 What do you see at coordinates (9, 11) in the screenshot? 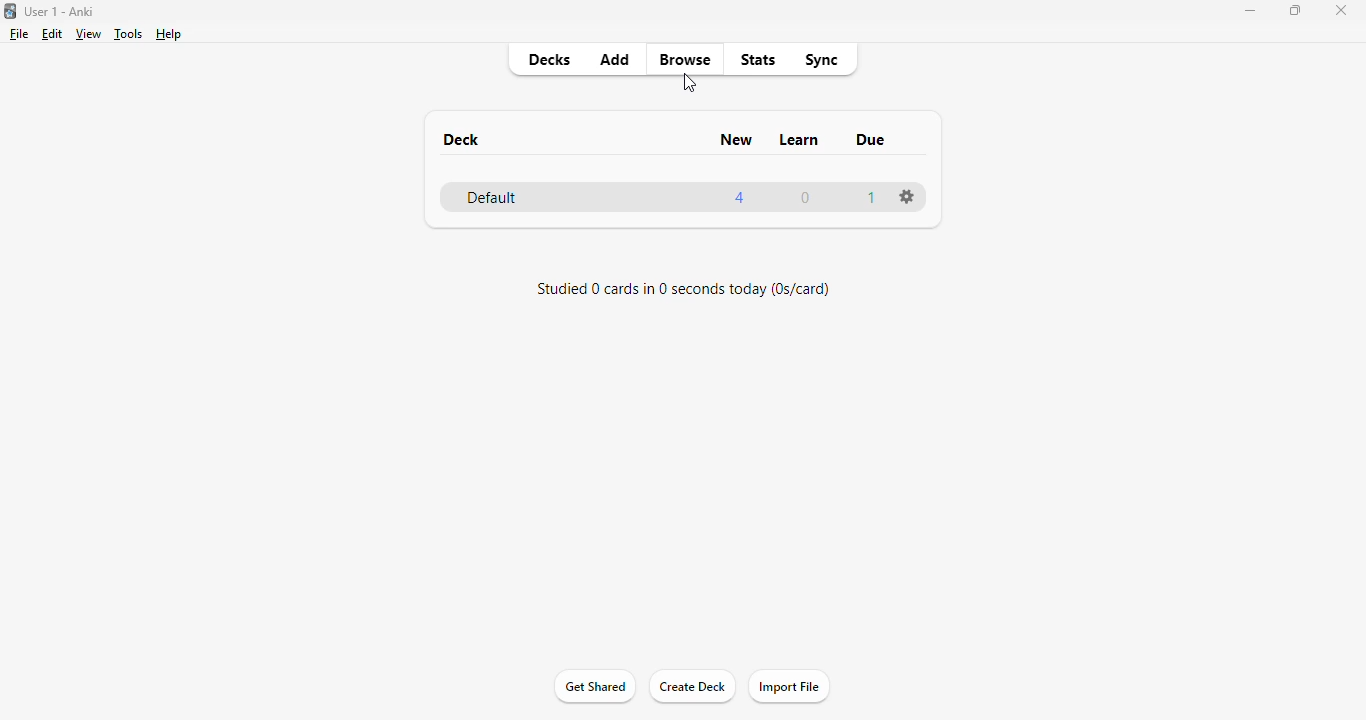
I see `logo` at bounding box center [9, 11].